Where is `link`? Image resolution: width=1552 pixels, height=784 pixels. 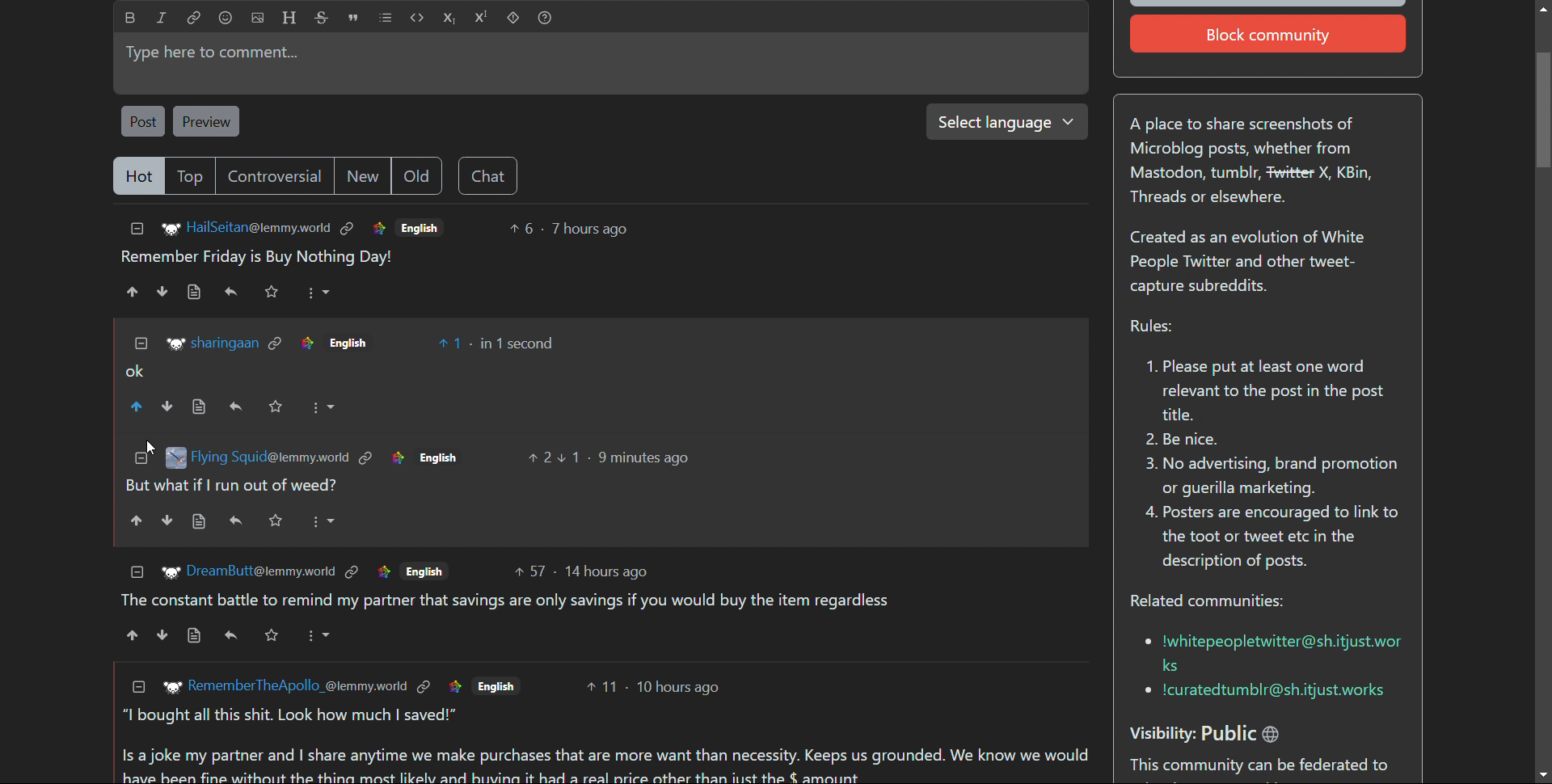 link is located at coordinates (278, 344).